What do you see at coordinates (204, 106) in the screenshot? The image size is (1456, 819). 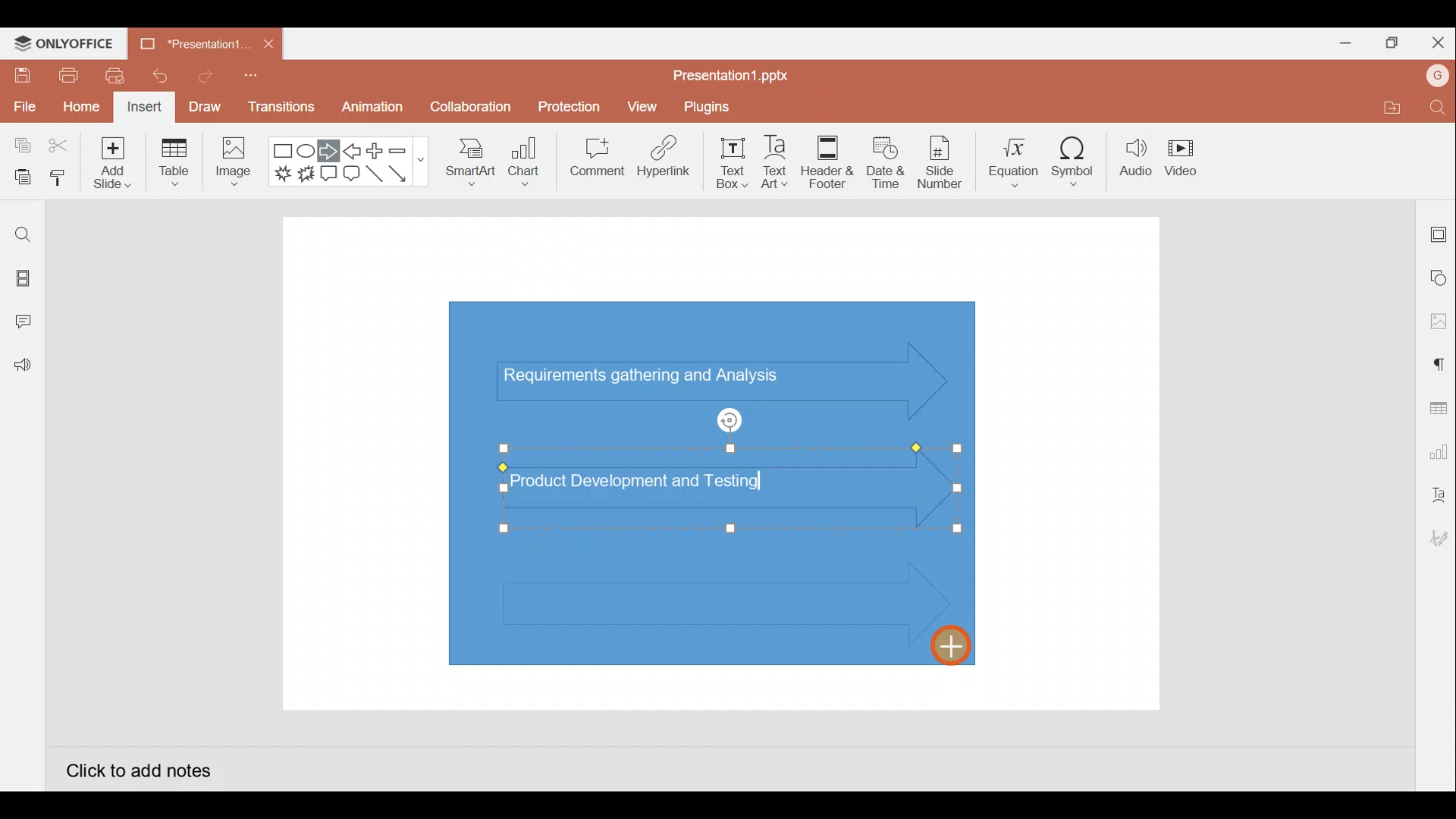 I see `Draw` at bounding box center [204, 106].